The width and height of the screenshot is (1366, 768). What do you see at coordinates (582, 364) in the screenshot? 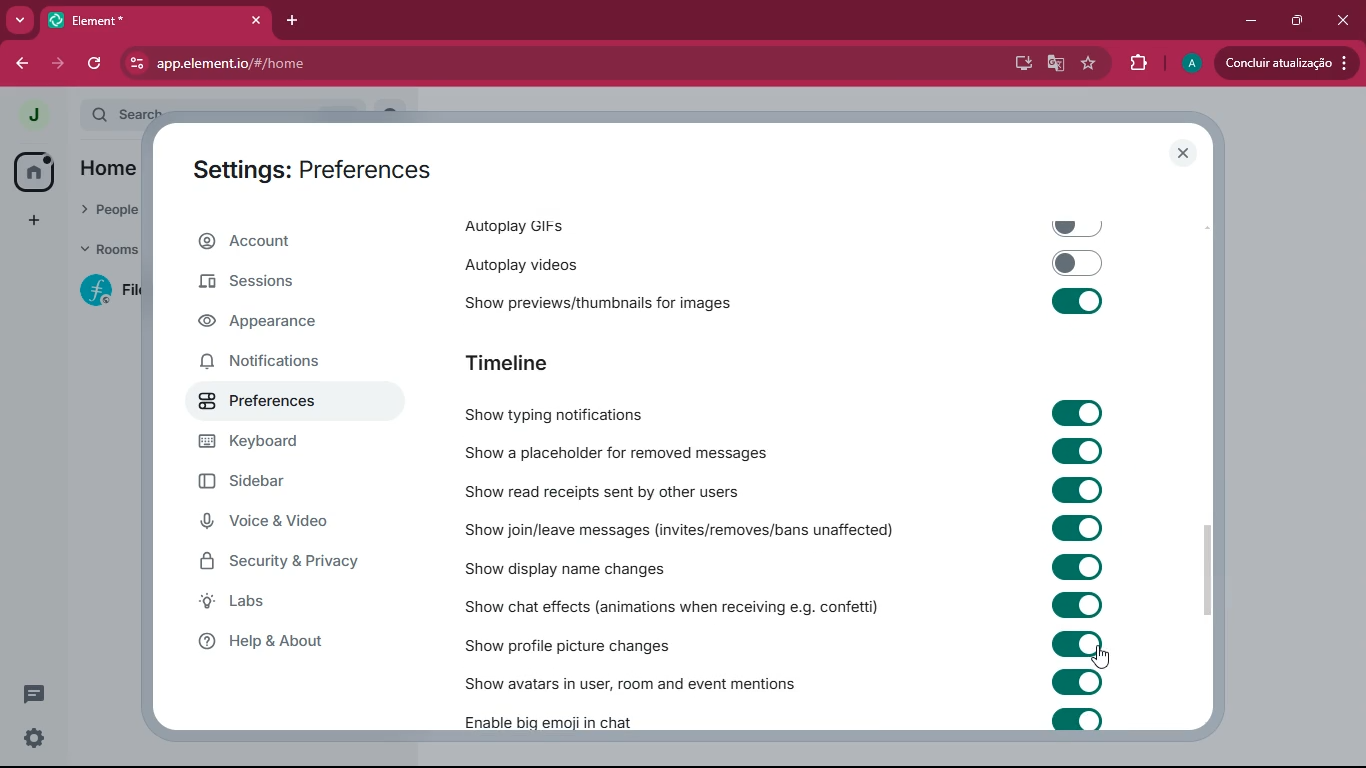
I see `timeline` at bounding box center [582, 364].